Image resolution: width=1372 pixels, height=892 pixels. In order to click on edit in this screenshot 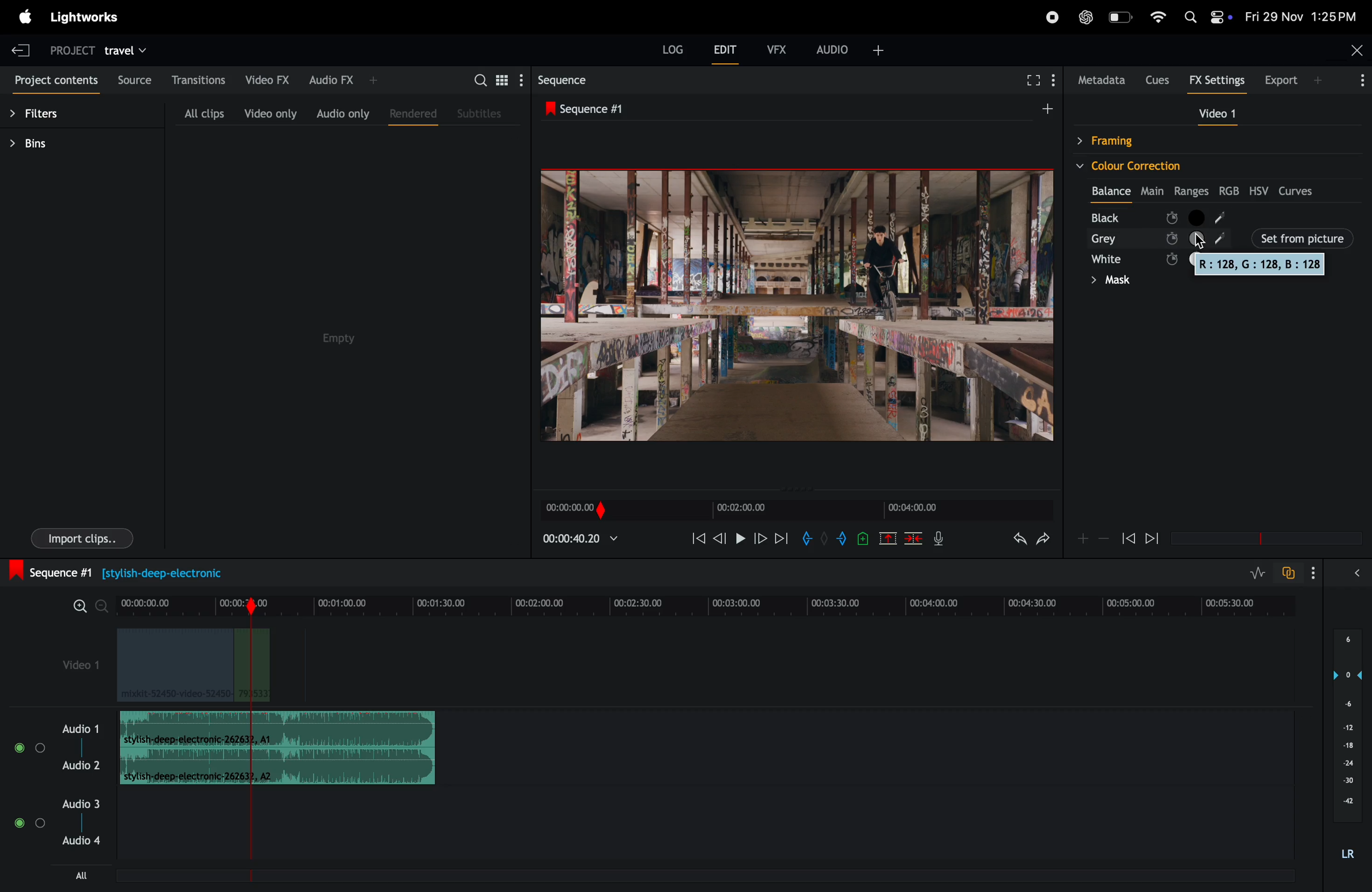, I will do `click(726, 53)`.